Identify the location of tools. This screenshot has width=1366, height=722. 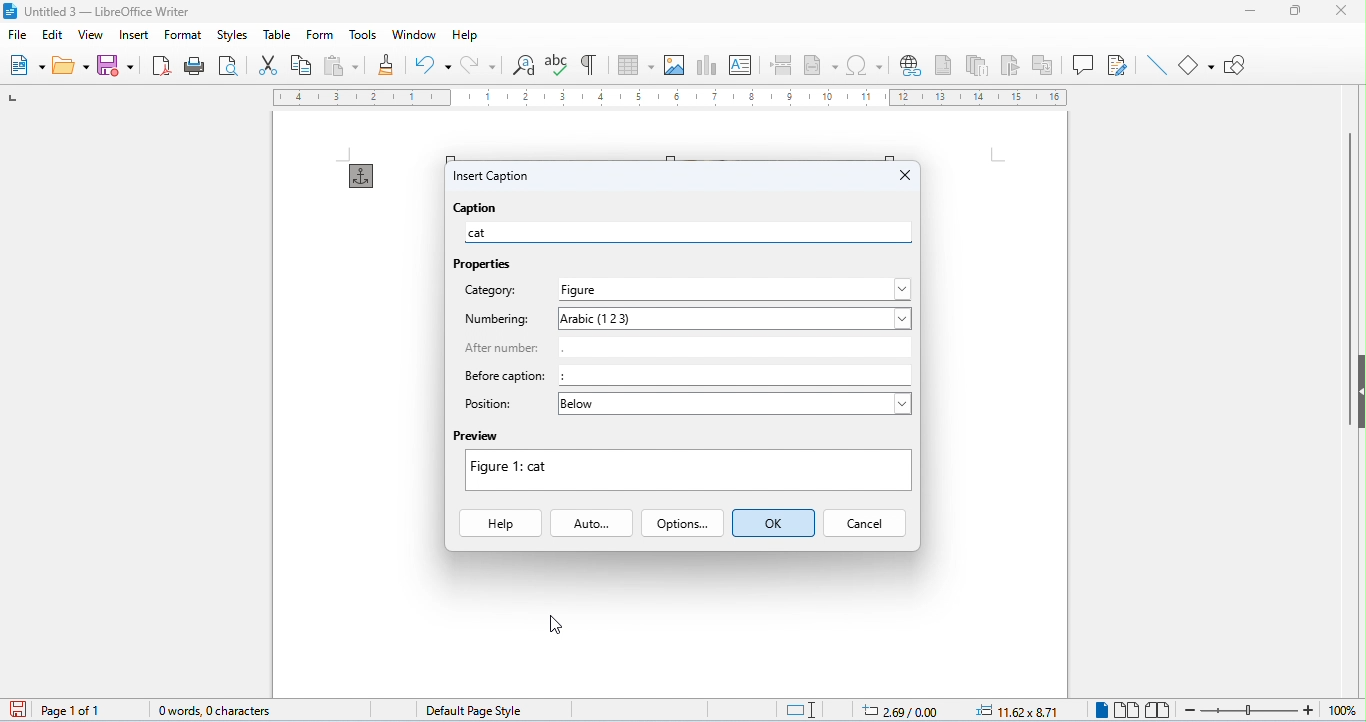
(364, 33).